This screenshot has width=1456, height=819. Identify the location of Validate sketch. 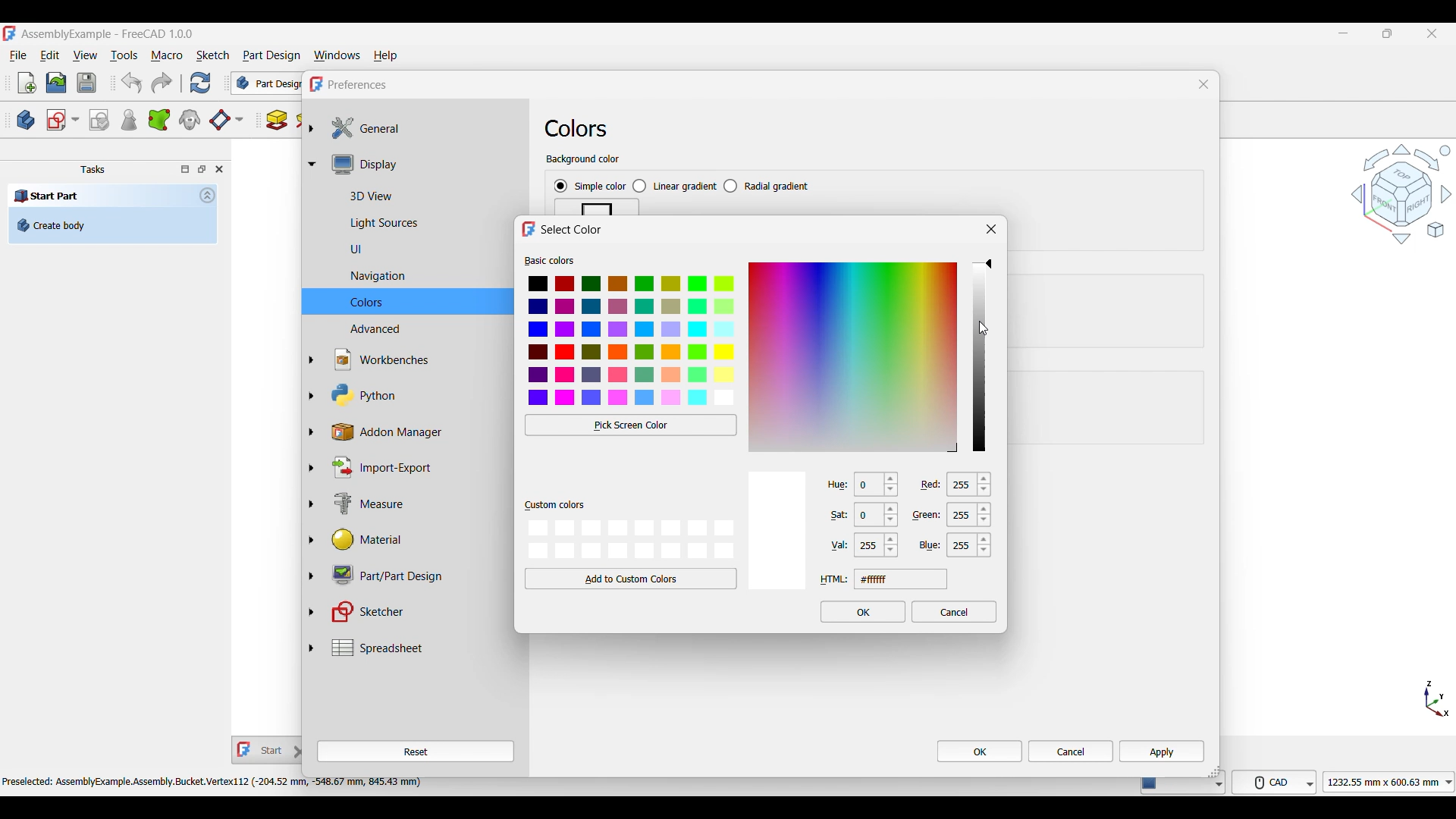
(99, 121).